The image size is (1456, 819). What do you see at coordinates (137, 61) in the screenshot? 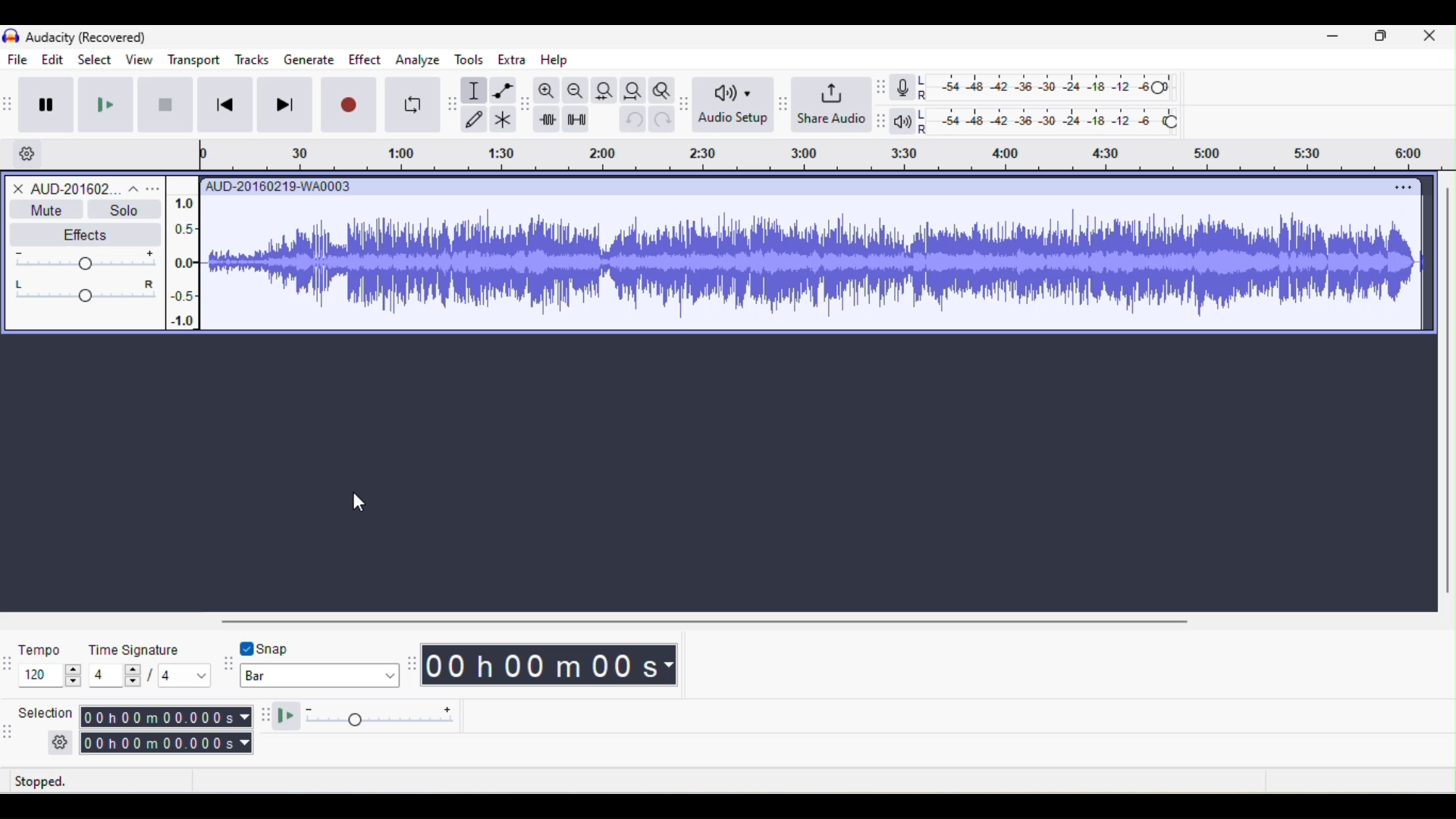
I see `view` at bounding box center [137, 61].